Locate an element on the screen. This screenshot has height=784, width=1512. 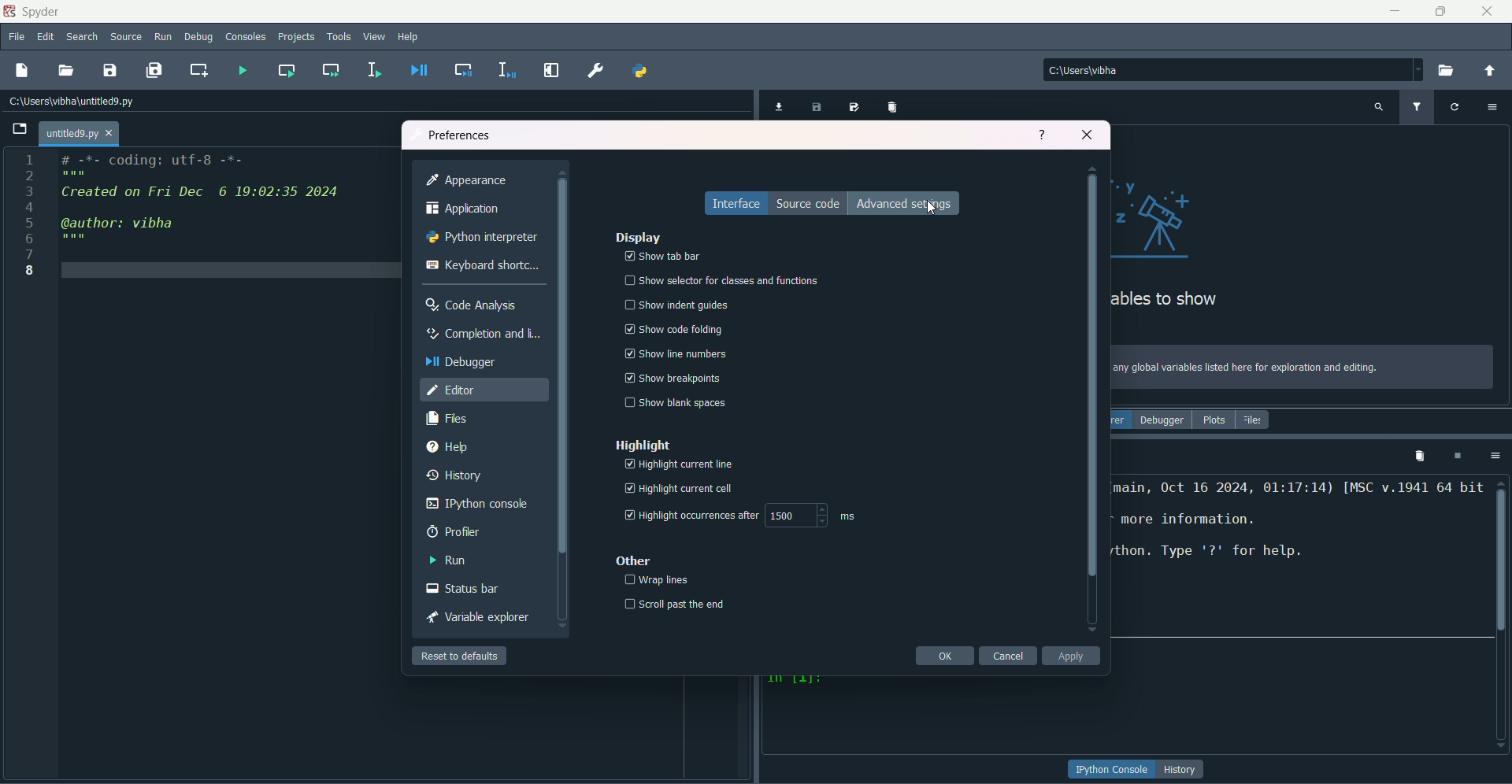
show selector for functions is located at coordinates (724, 281).